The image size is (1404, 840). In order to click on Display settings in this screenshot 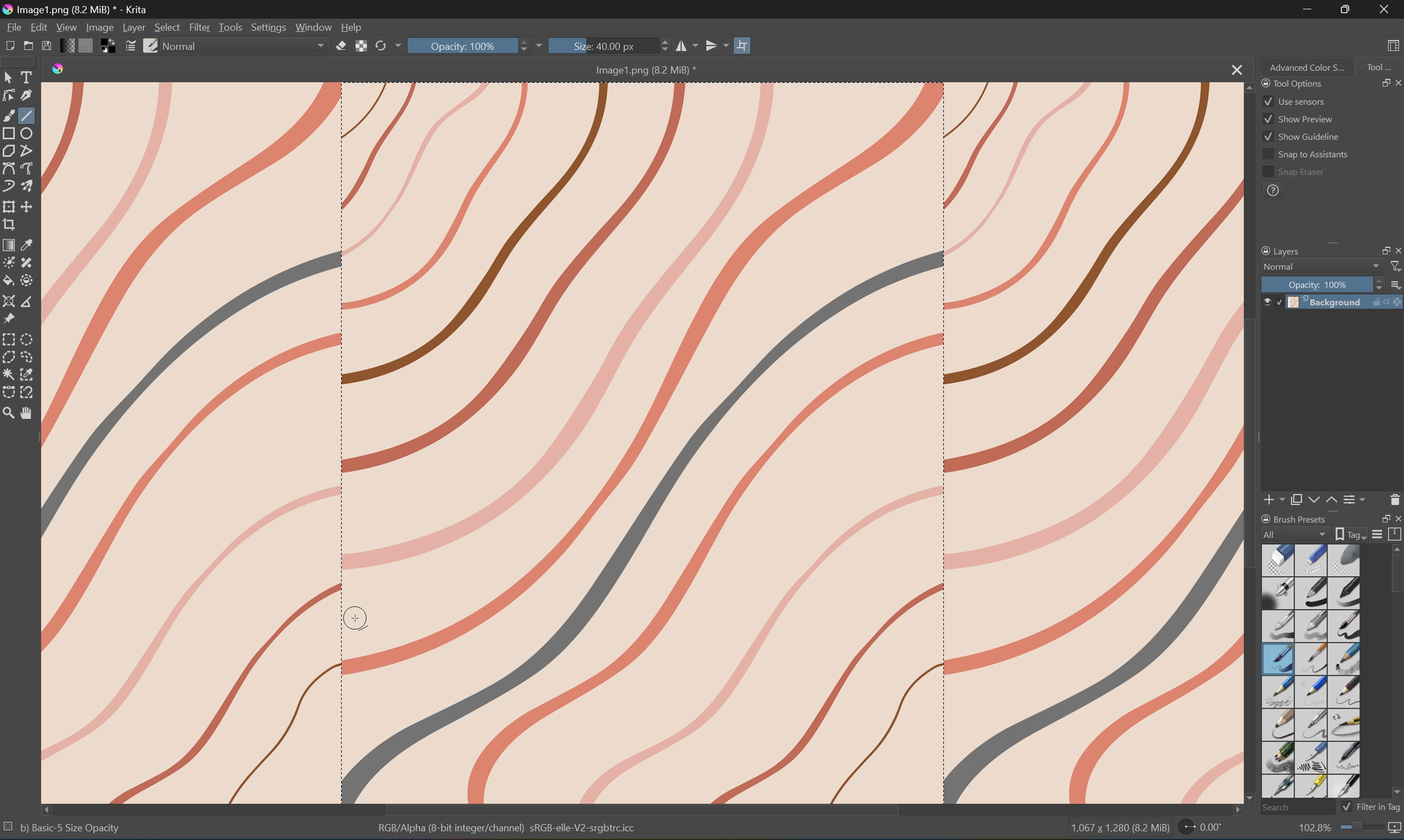, I will do `click(1379, 535)`.